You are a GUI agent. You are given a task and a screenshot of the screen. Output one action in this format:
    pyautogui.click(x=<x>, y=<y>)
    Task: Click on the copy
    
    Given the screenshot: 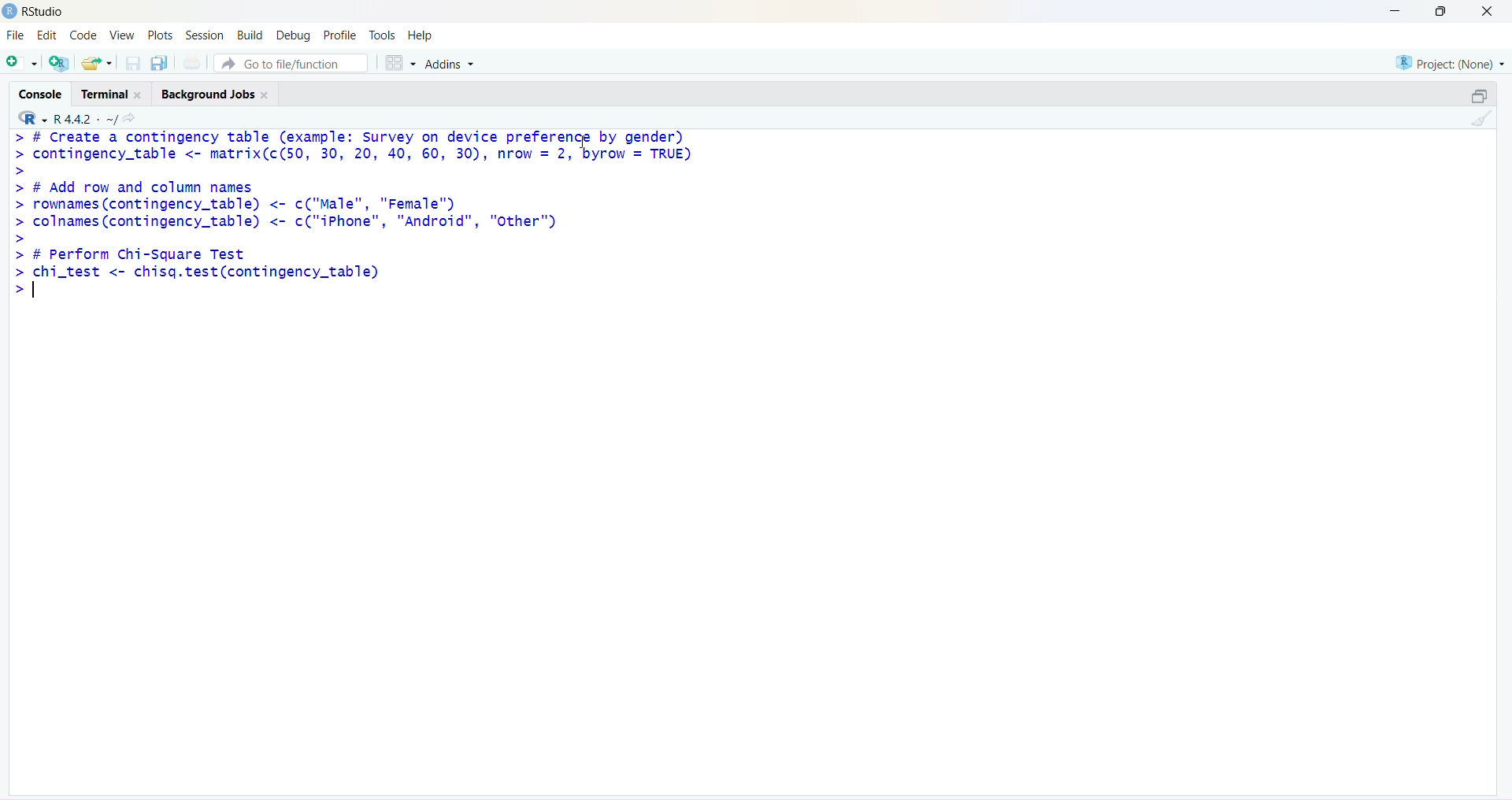 What is the action you would take?
    pyautogui.click(x=159, y=62)
    